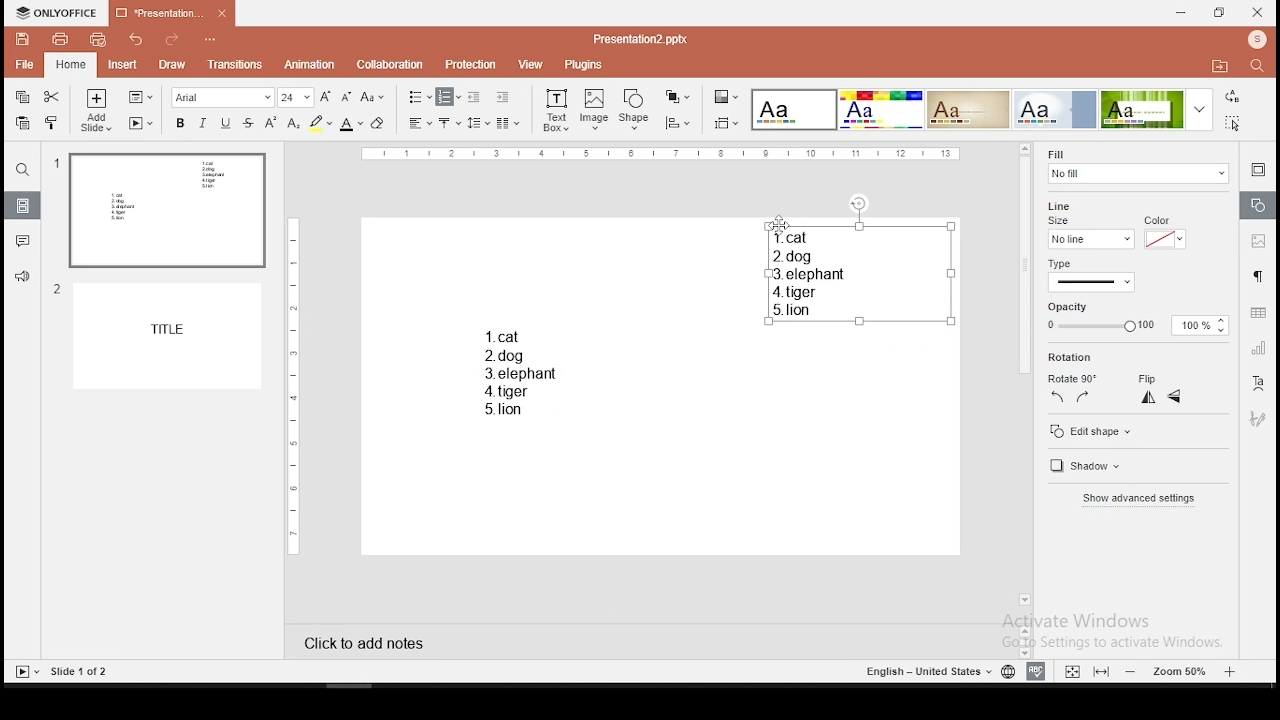 The height and width of the screenshot is (720, 1280). Describe the element at coordinates (248, 123) in the screenshot. I see `strikethrough` at that location.